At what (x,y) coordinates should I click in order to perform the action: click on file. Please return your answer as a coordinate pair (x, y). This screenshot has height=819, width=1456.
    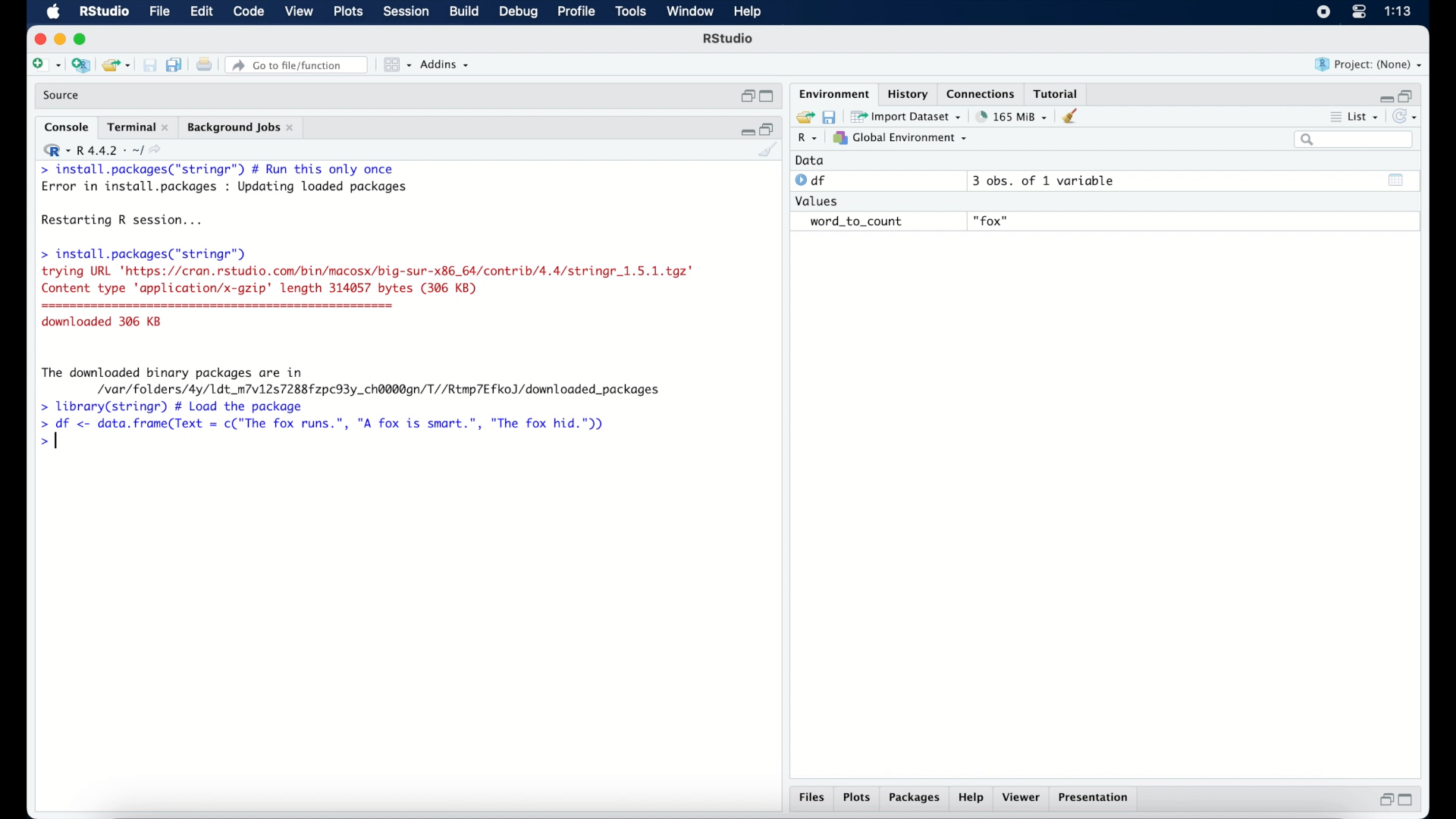
    Looking at the image, I should click on (161, 12).